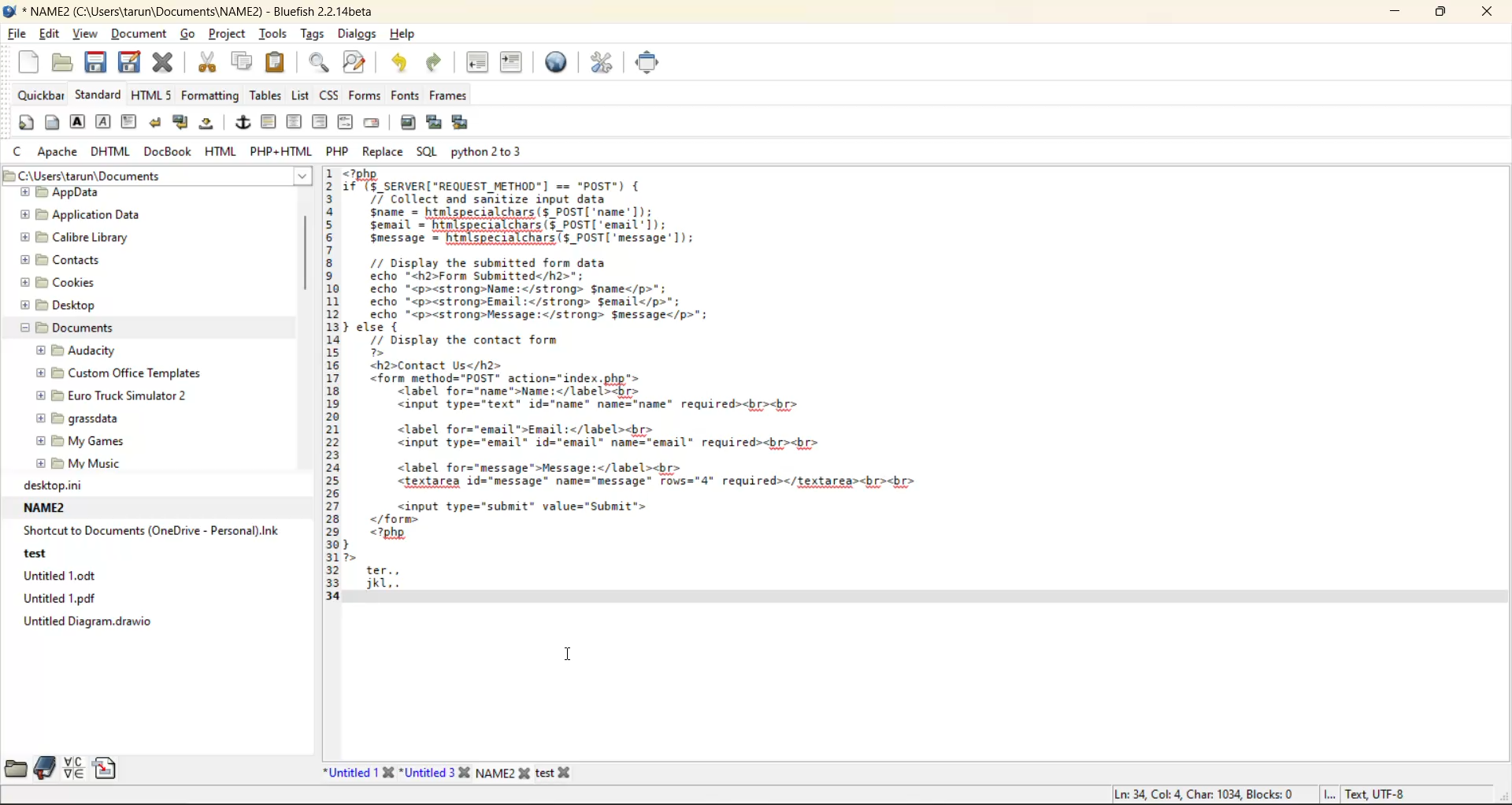 Image resolution: width=1512 pixels, height=805 pixels. I want to click on tables, so click(267, 95).